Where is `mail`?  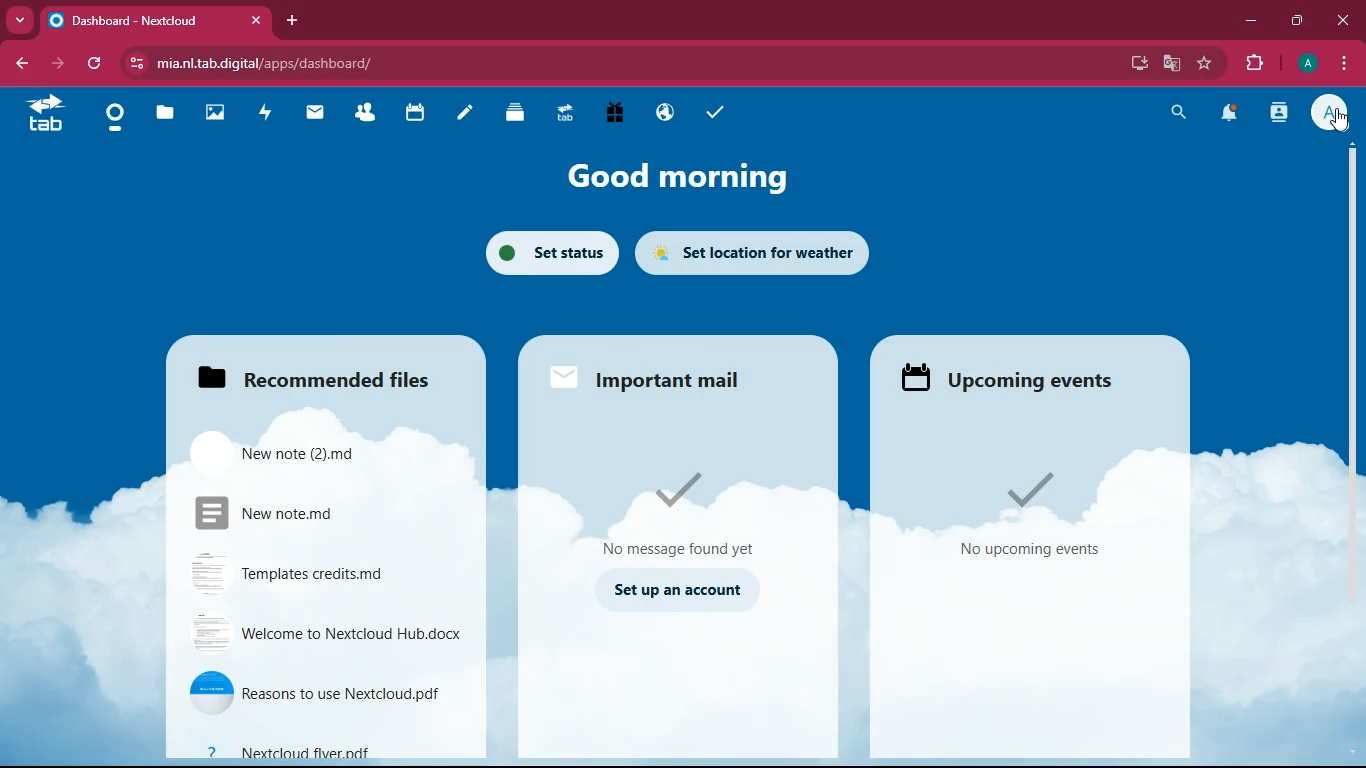 mail is located at coordinates (320, 112).